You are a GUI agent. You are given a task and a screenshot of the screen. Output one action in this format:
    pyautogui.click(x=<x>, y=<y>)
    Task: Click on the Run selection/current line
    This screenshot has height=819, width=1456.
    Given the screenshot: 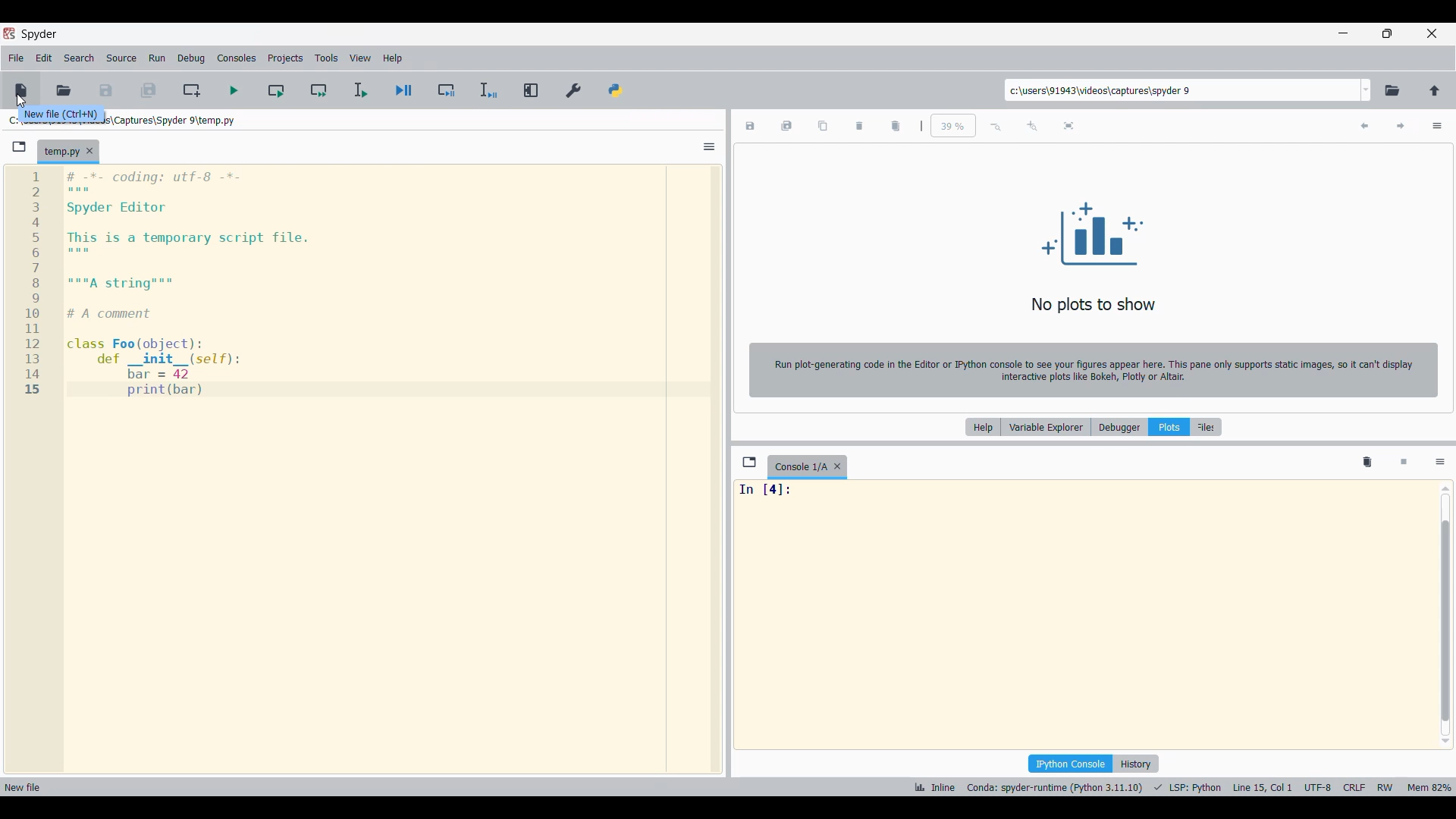 What is the action you would take?
    pyautogui.click(x=360, y=91)
    